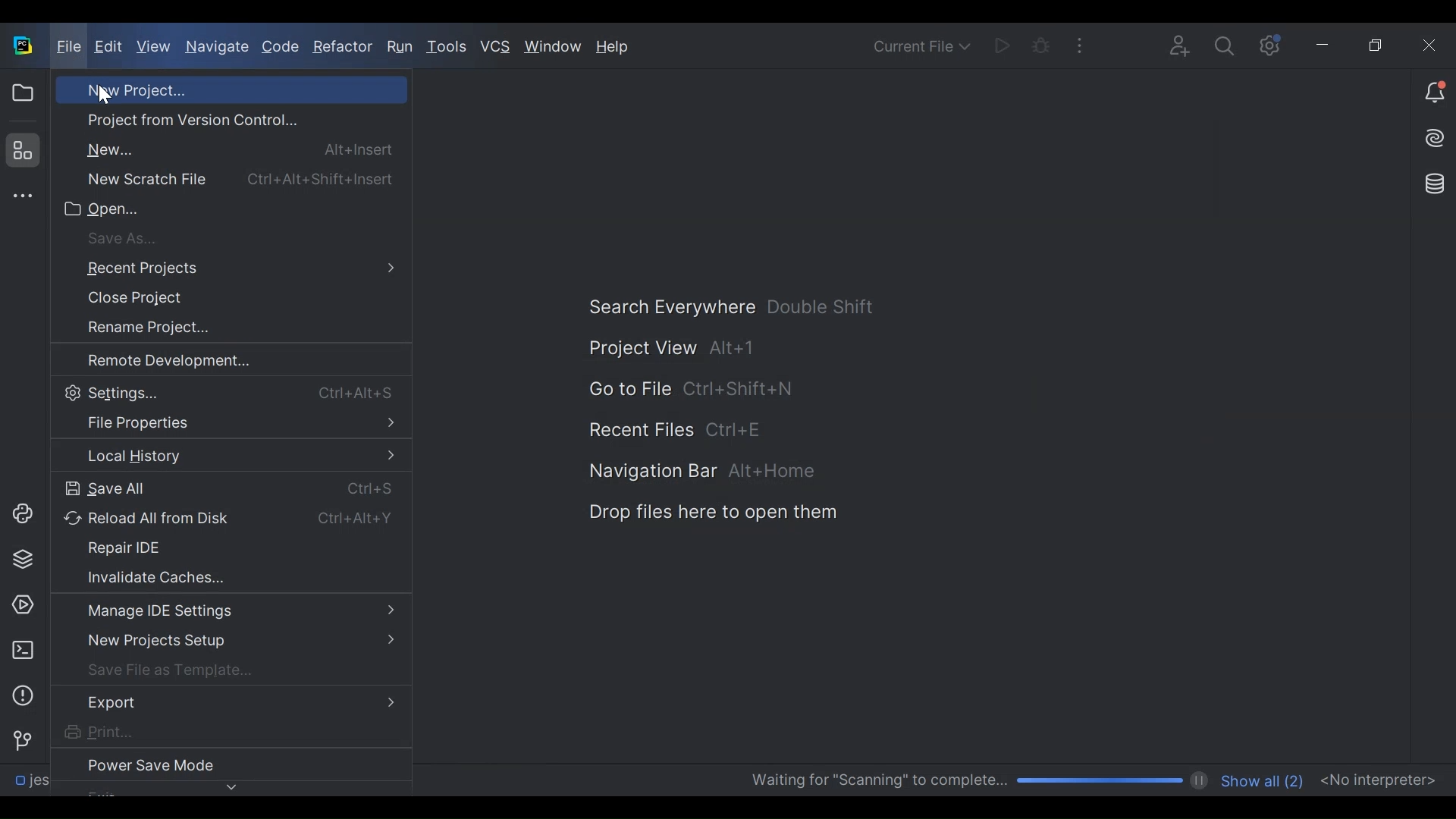  What do you see at coordinates (229, 271) in the screenshot?
I see `Recent Projects` at bounding box center [229, 271].